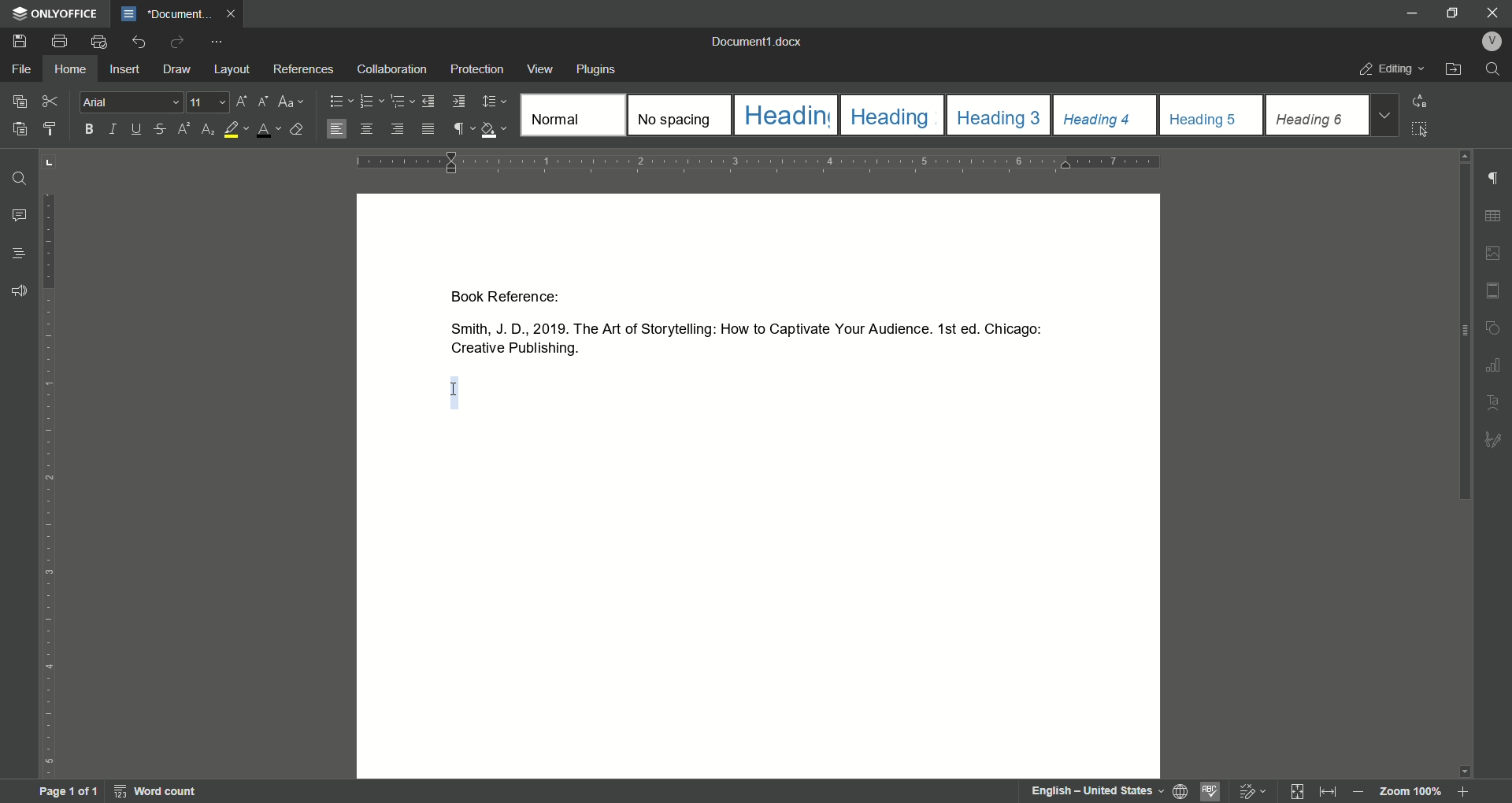  What do you see at coordinates (478, 68) in the screenshot?
I see `protection` at bounding box center [478, 68].